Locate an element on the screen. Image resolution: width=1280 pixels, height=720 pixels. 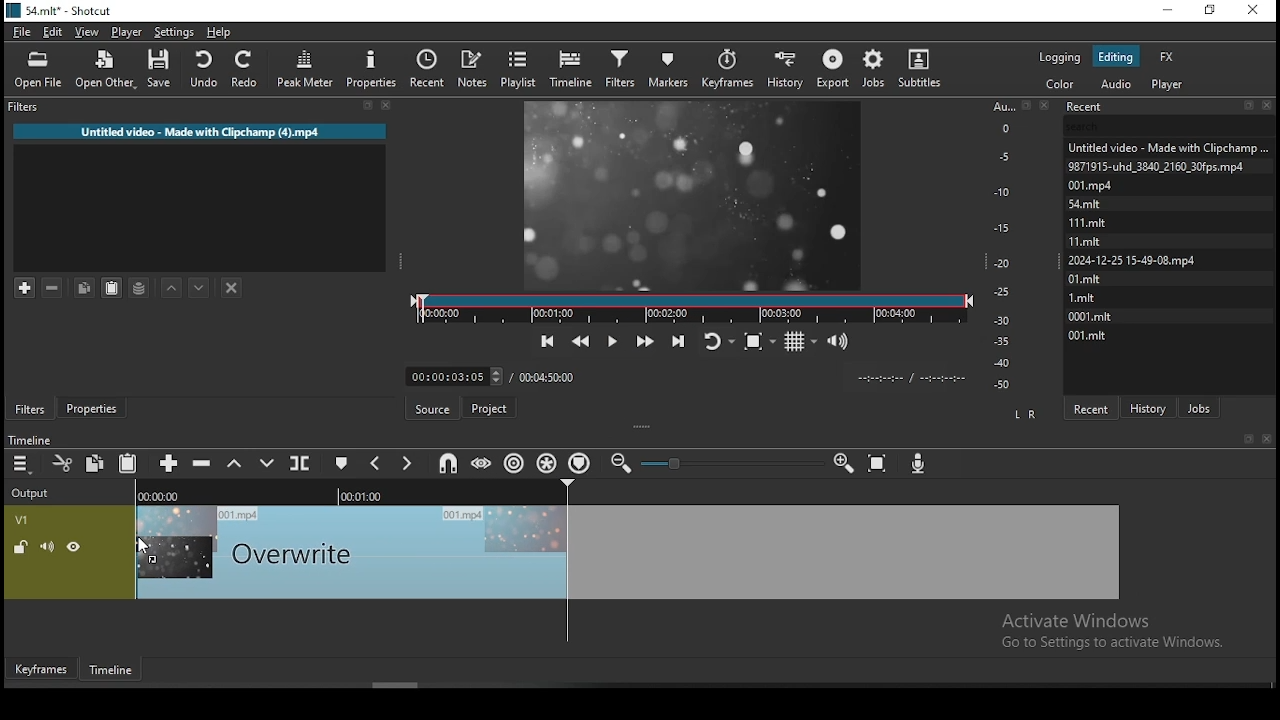
split at playhead is located at coordinates (302, 461).